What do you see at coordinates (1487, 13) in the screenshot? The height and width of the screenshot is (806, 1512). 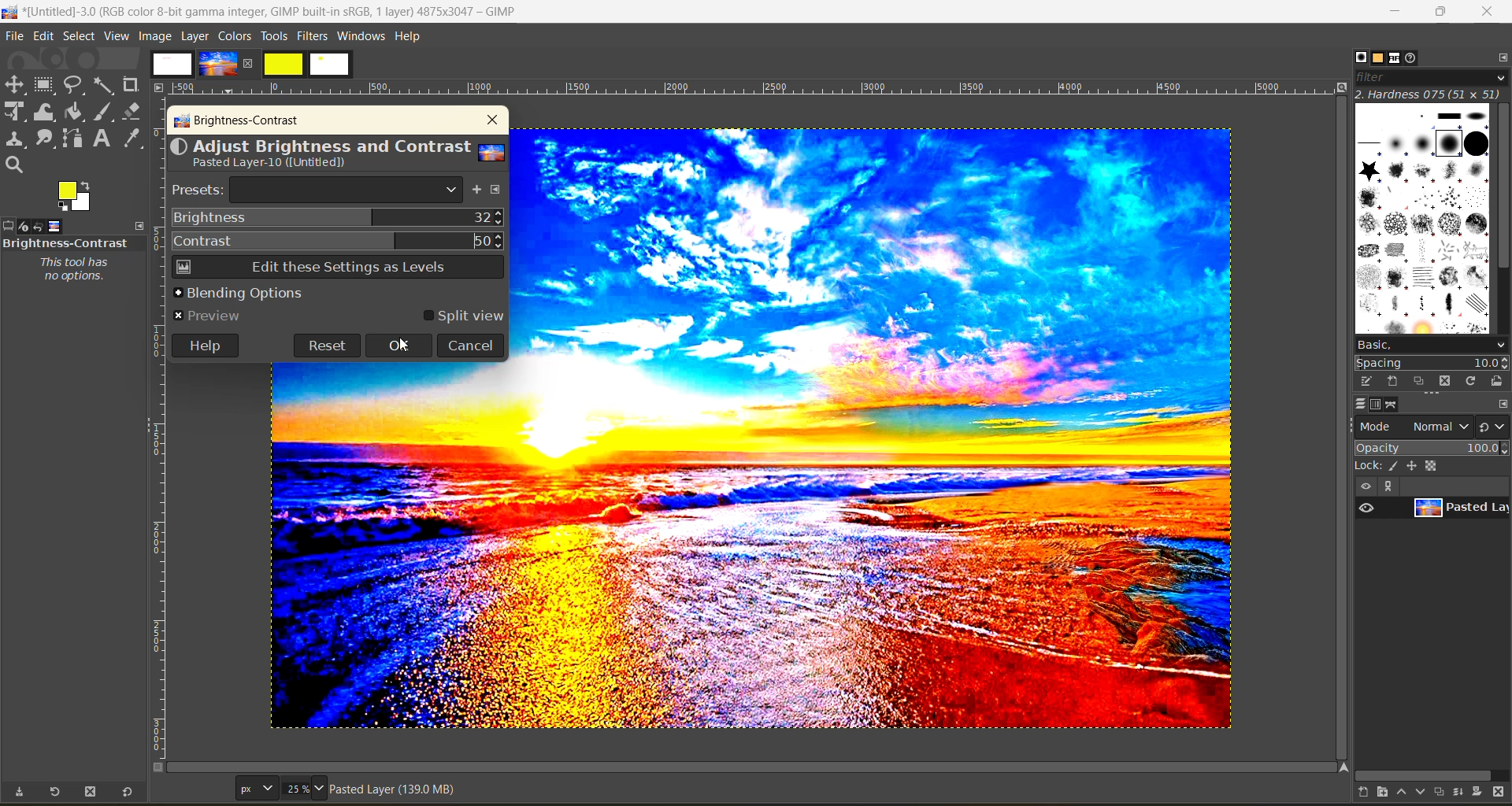 I see `close` at bounding box center [1487, 13].